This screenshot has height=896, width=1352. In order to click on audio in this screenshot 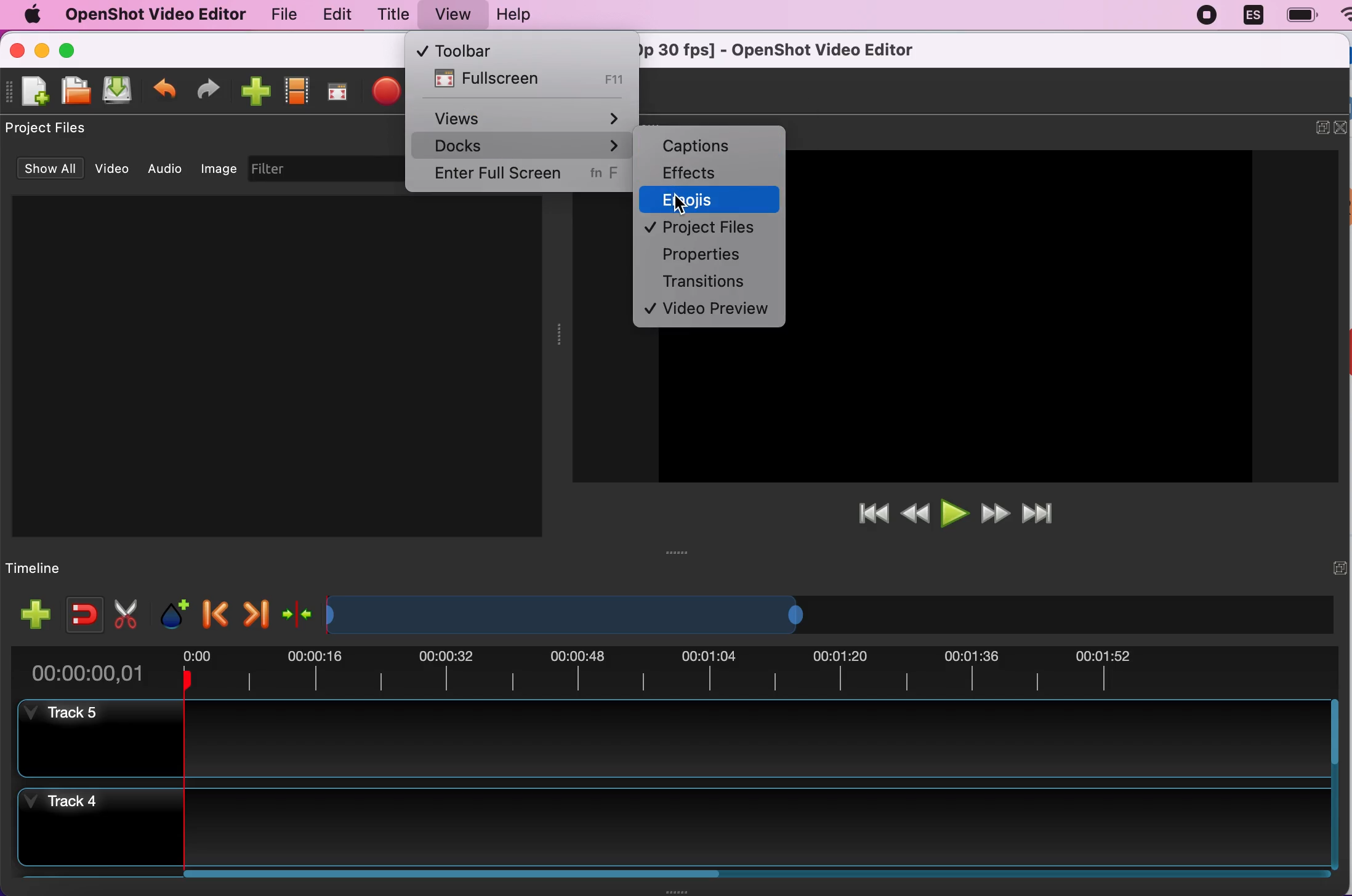, I will do `click(167, 167)`.